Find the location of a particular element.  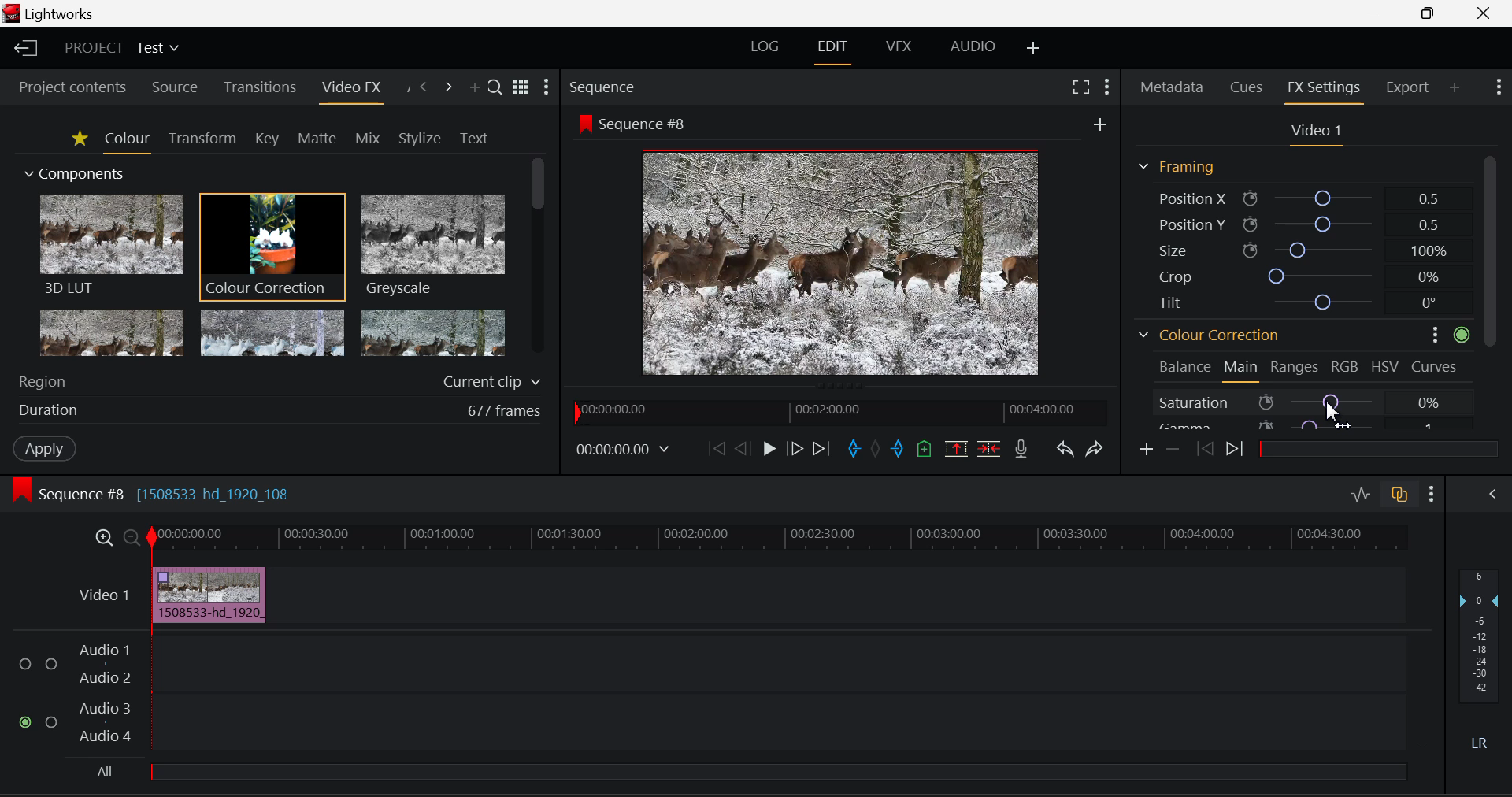

Delete/Cut is located at coordinates (991, 449).